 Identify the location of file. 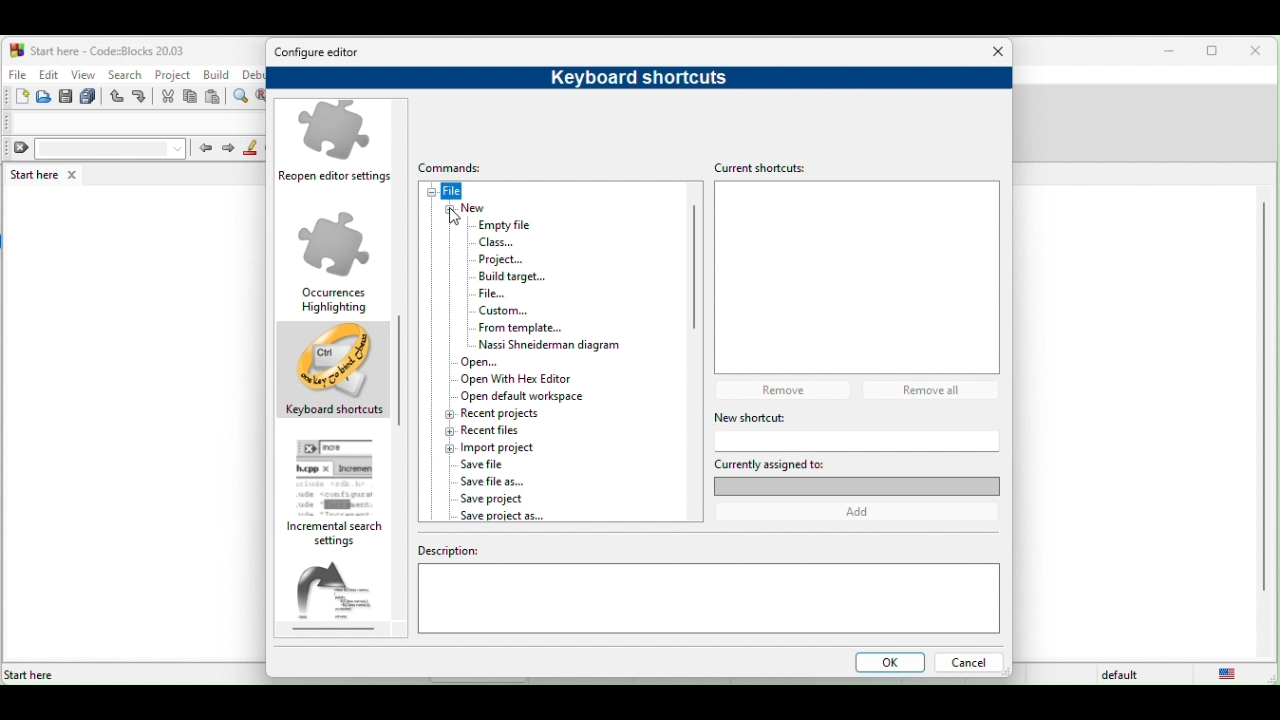
(505, 294).